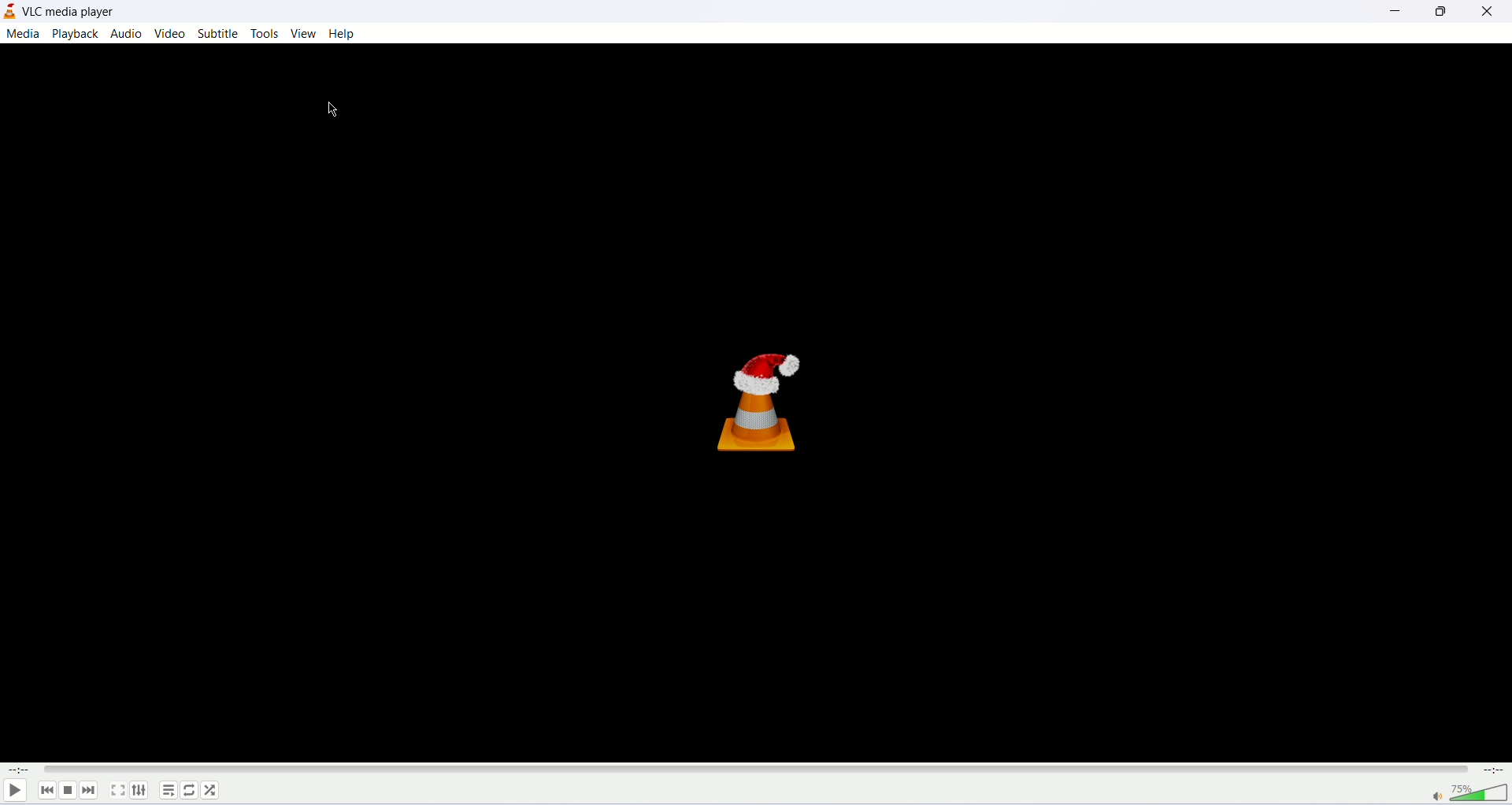  What do you see at coordinates (306, 34) in the screenshot?
I see `view` at bounding box center [306, 34].